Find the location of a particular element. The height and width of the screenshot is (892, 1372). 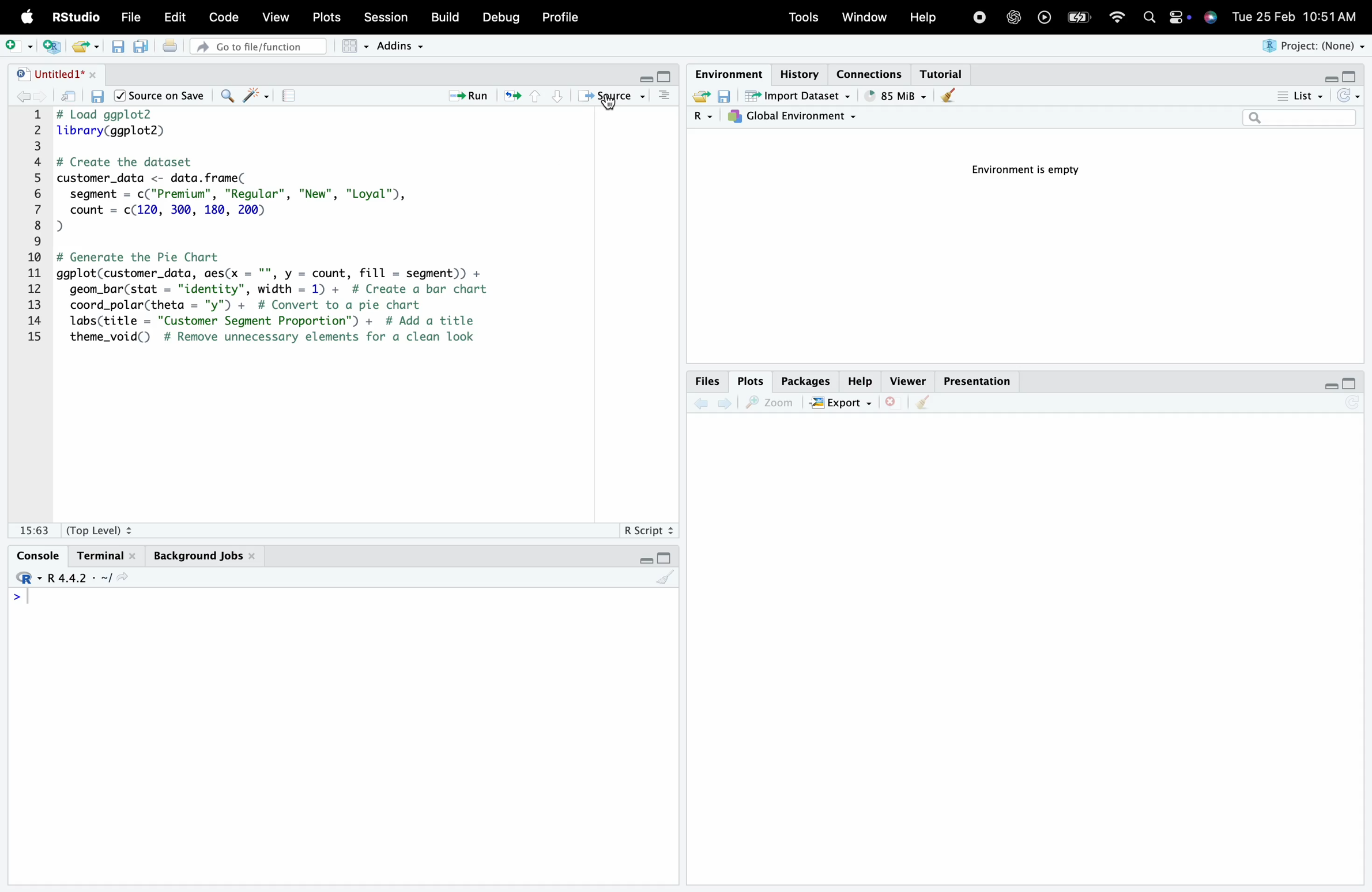

reformat code is located at coordinates (255, 97).